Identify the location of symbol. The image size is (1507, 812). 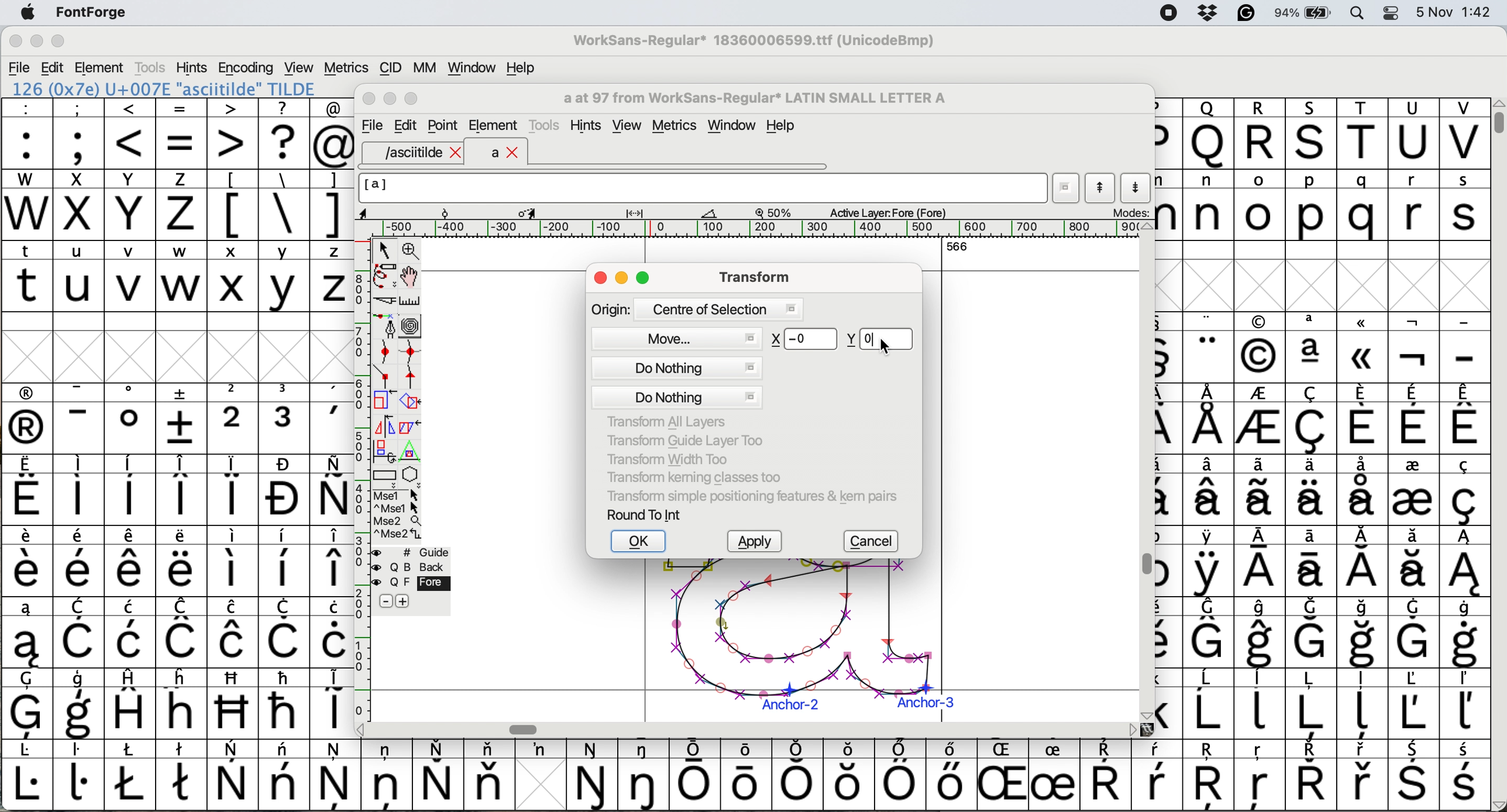
(387, 773).